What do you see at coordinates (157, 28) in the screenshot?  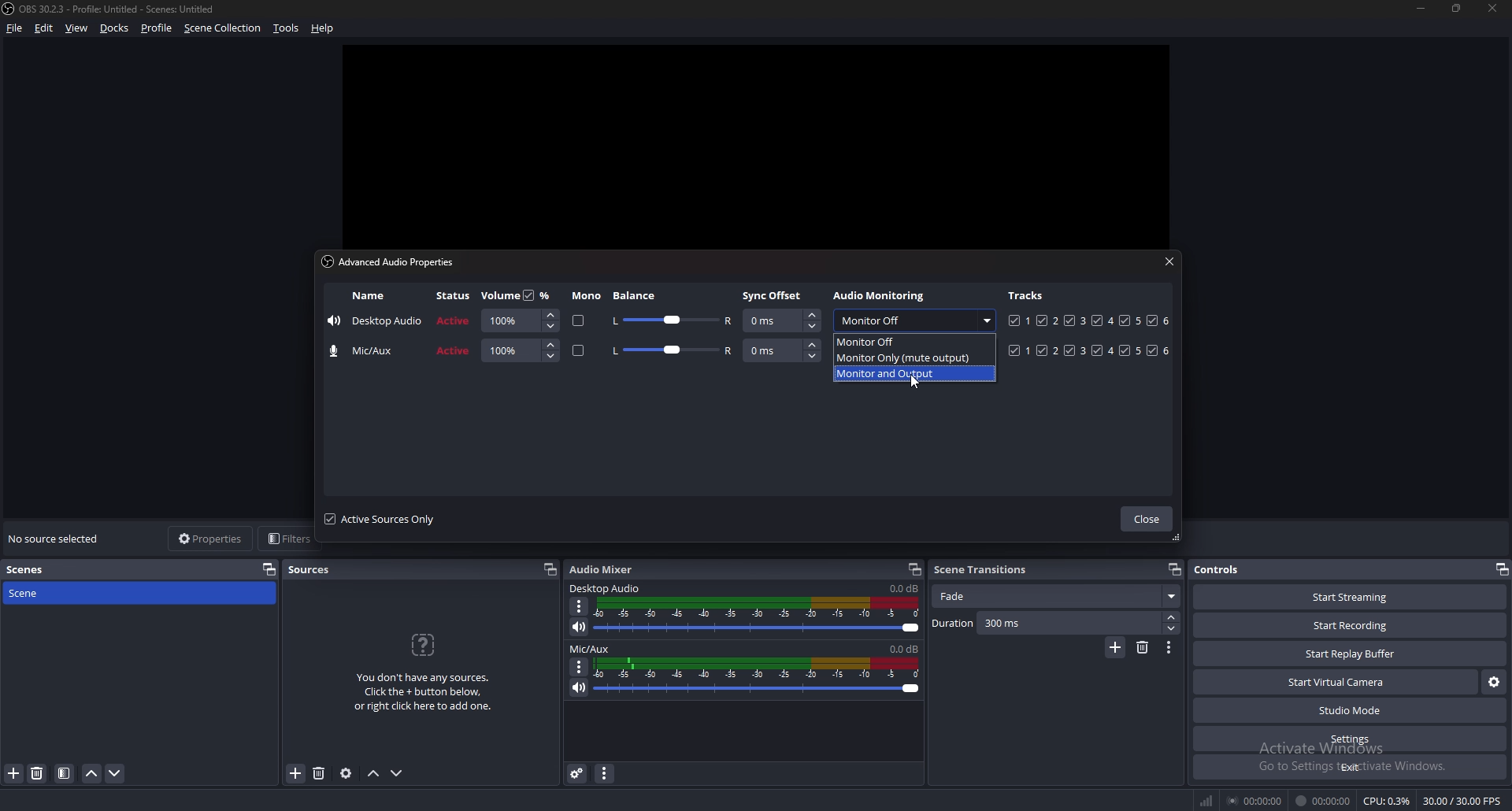 I see `profile` at bounding box center [157, 28].